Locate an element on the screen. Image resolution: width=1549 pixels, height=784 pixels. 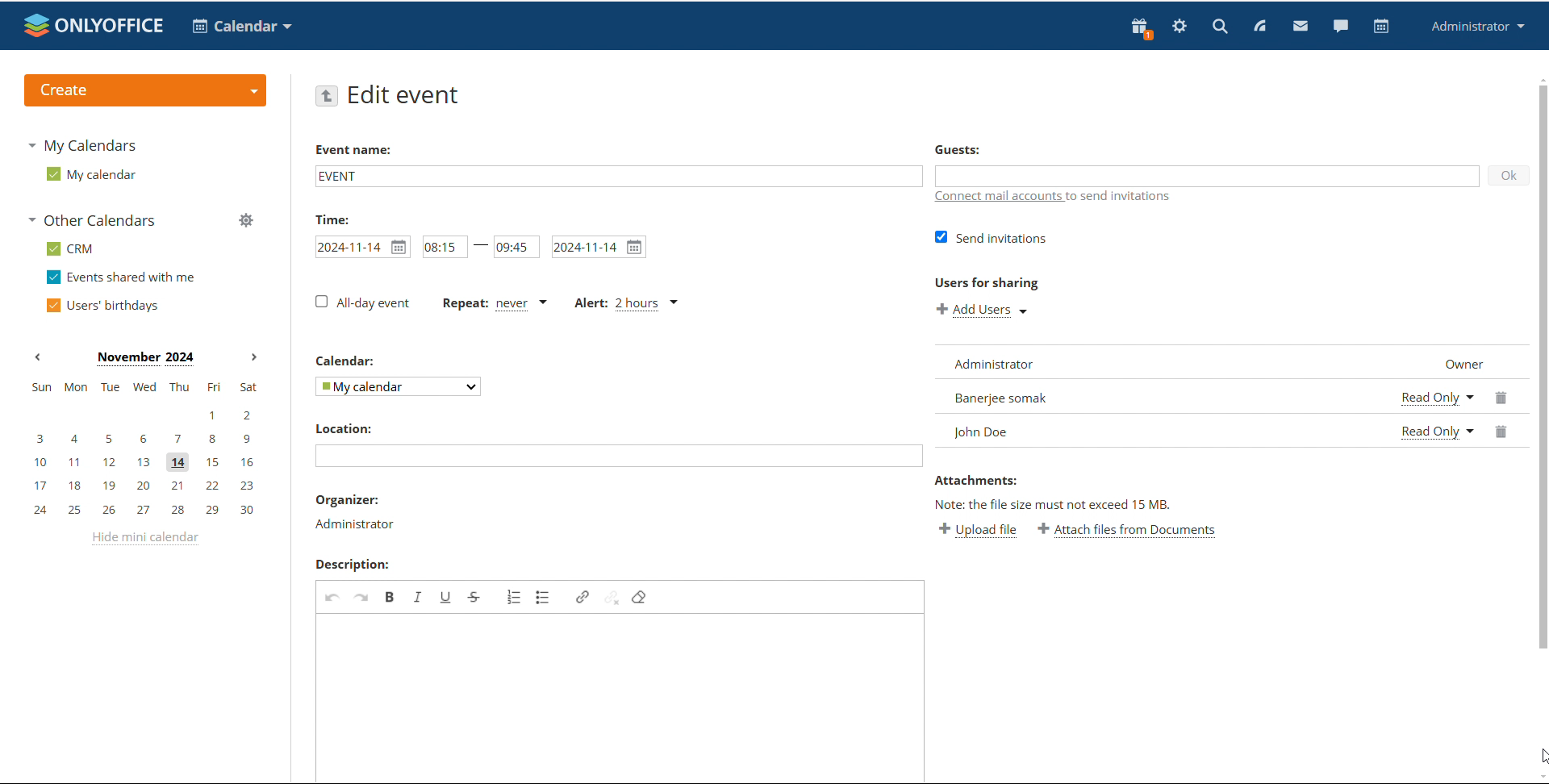
undo is located at coordinates (333, 596).